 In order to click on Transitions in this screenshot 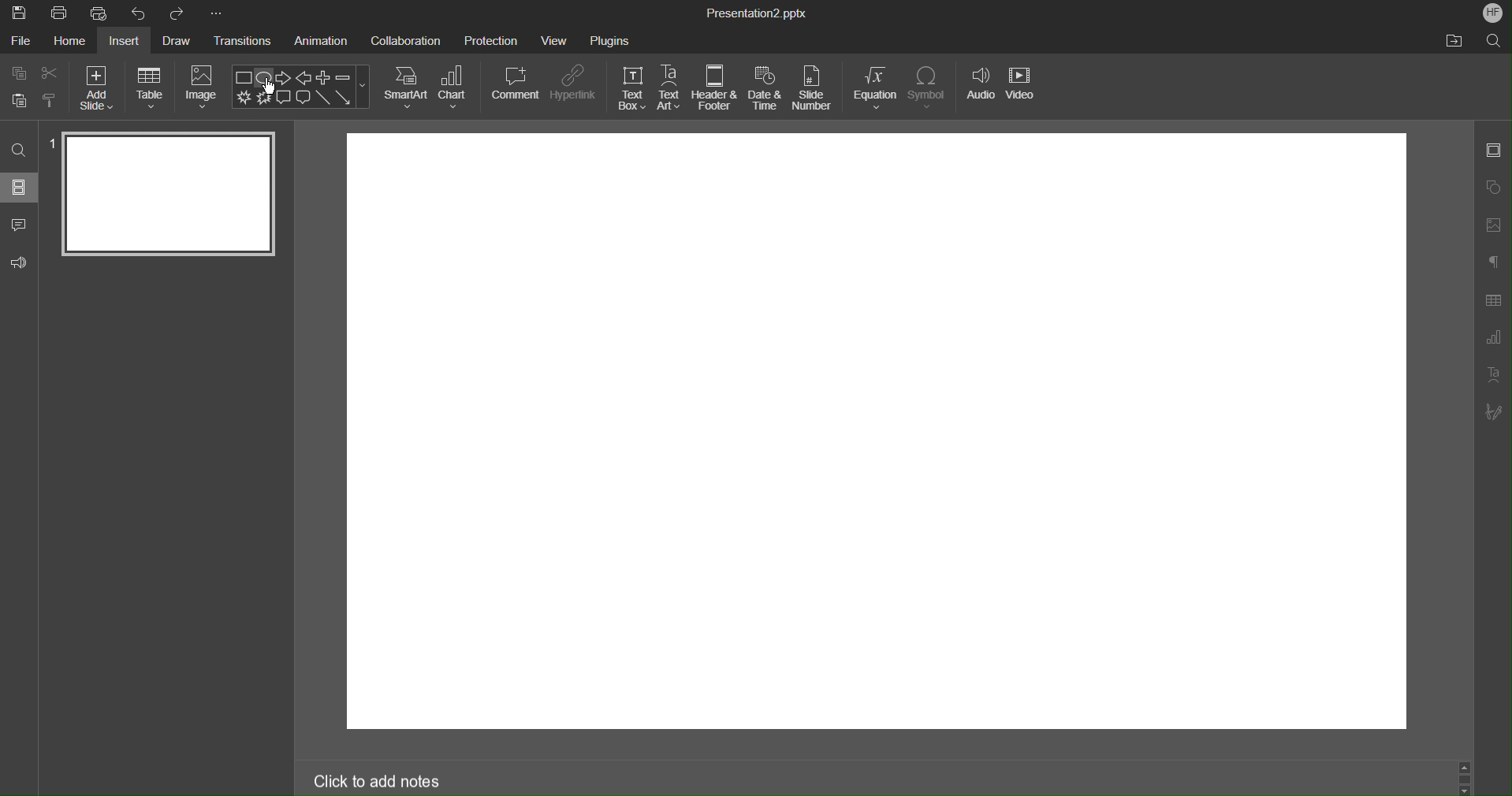, I will do `click(244, 43)`.